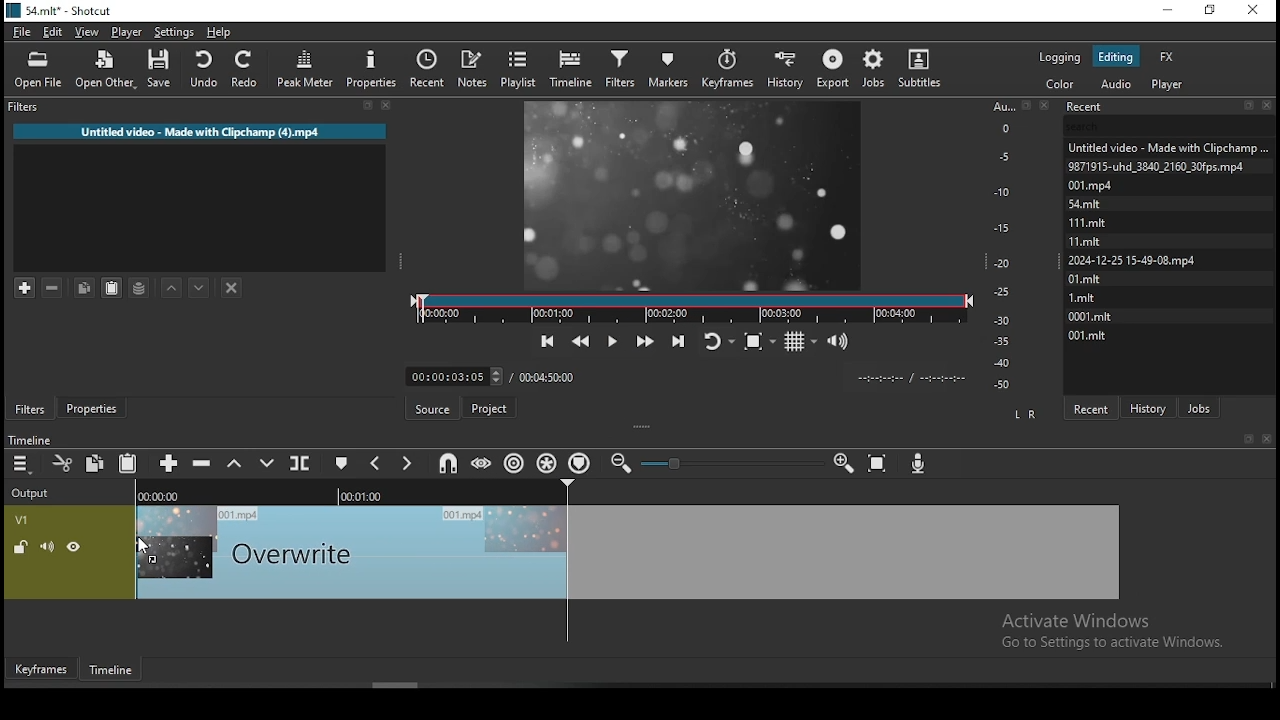 Image resolution: width=1280 pixels, height=720 pixels. I want to click on files, so click(1084, 239).